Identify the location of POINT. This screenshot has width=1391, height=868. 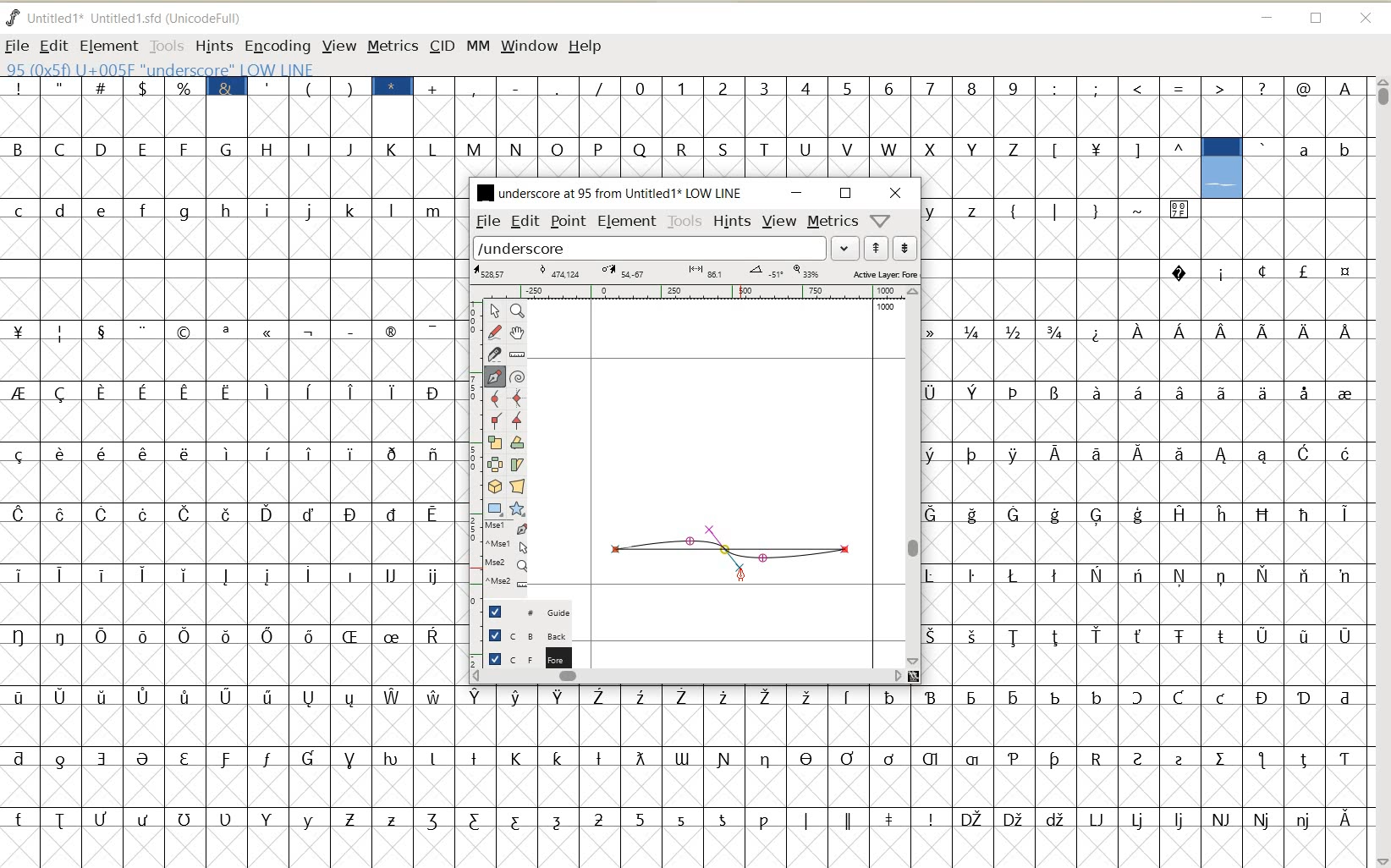
(569, 223).